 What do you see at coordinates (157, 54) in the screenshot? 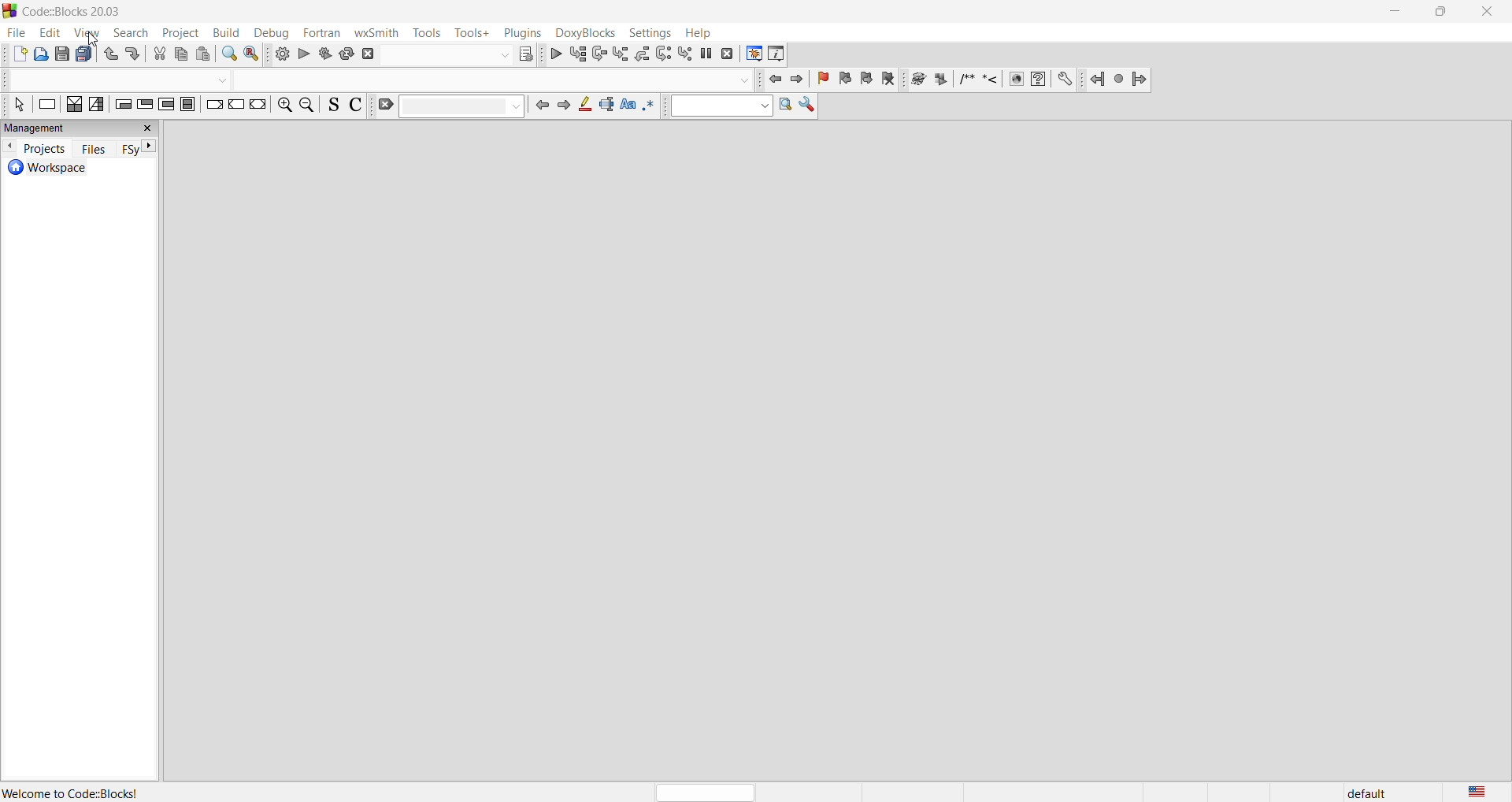
I see `cut` at bounding box center [157, 54].